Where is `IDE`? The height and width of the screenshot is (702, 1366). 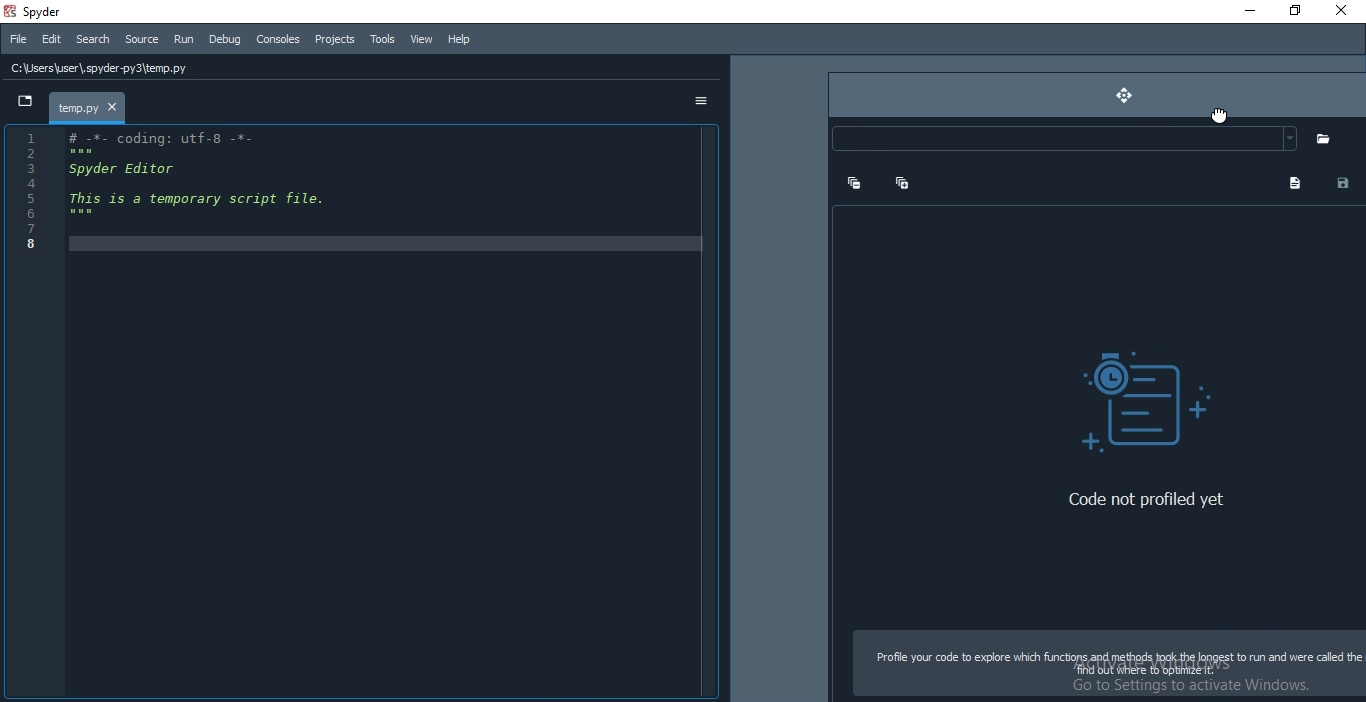
IDE is located at coordinates (361, 415).